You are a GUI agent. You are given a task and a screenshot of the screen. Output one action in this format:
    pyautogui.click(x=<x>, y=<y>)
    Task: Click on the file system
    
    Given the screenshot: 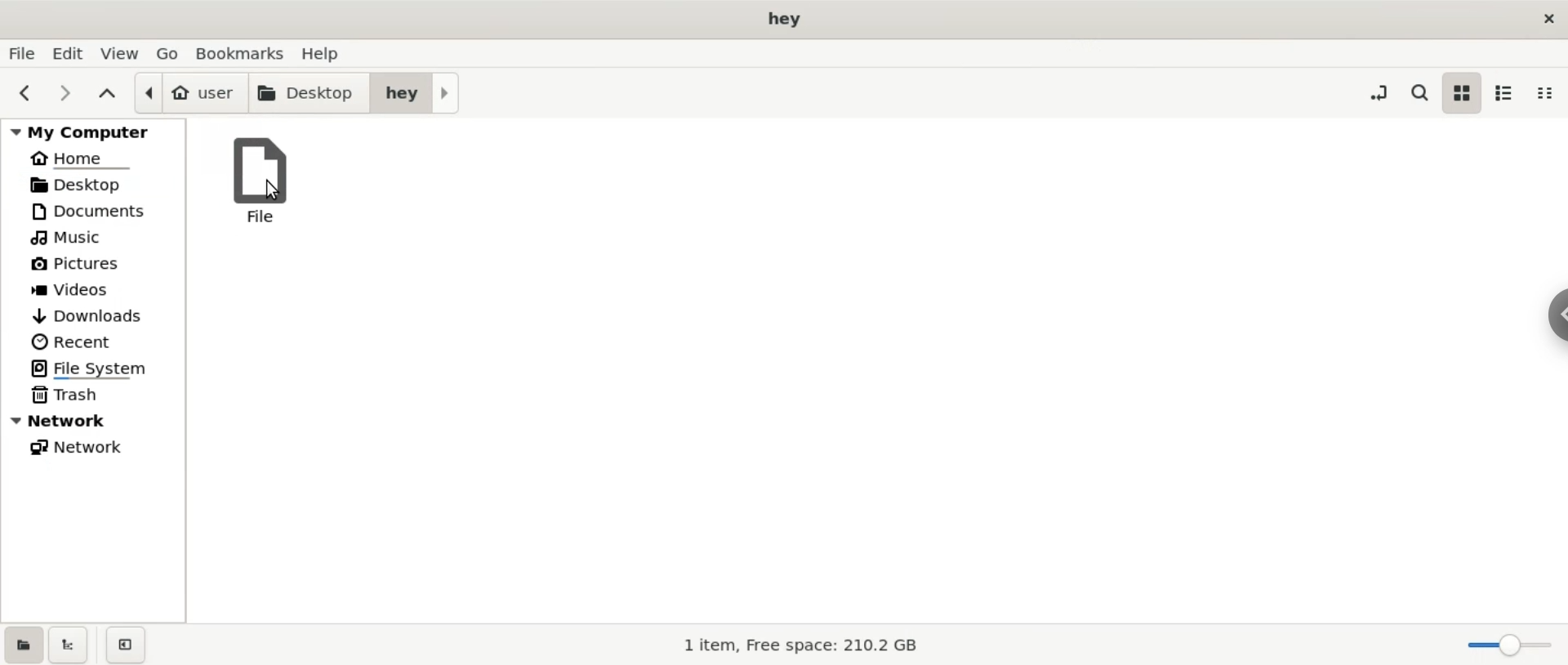 What is the action you would take?
    pyautogui.click(x=98, y=369)
    